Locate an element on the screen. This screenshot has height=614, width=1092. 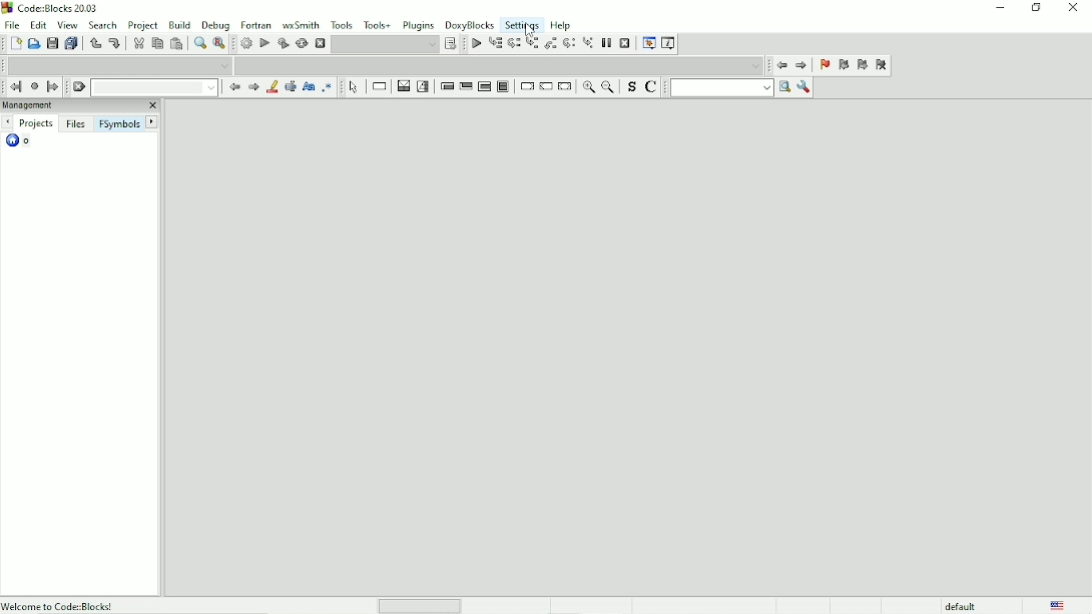
Last jump is located at coordinates (34, 87).